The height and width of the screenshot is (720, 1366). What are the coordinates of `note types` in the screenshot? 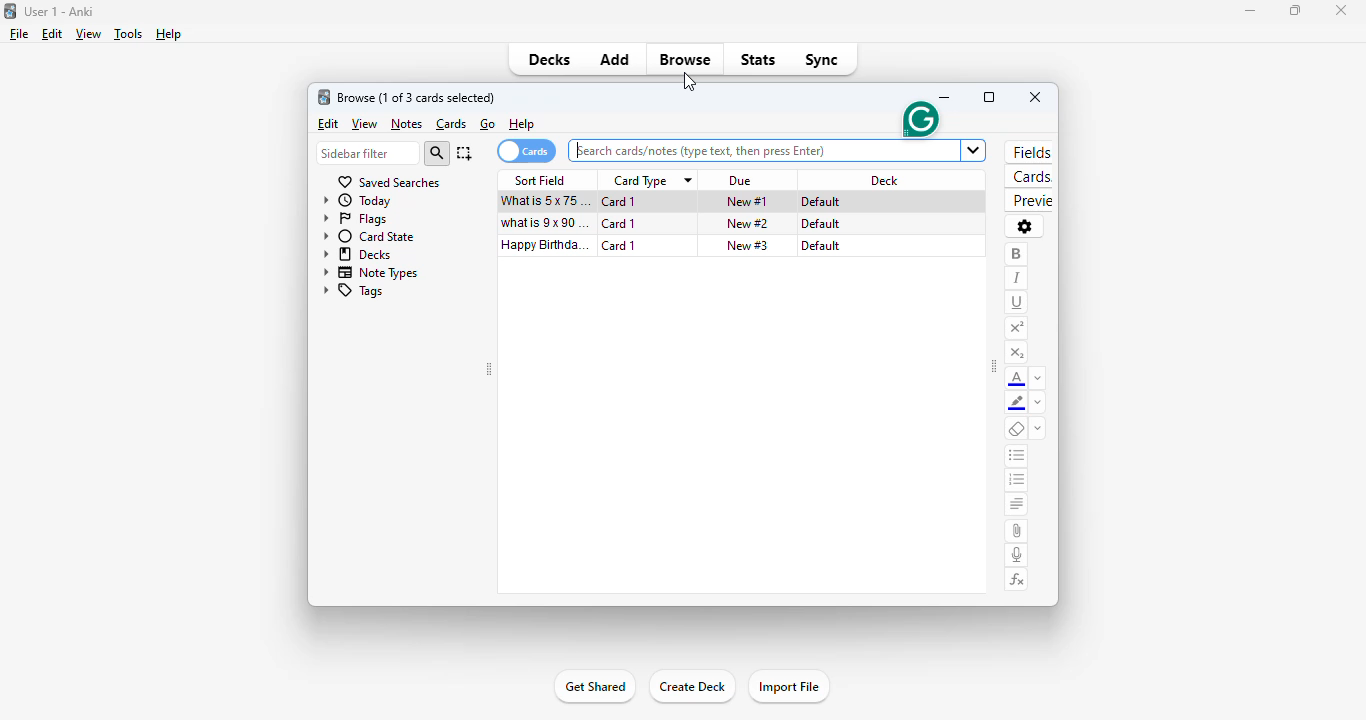 It's located at (371, 273).